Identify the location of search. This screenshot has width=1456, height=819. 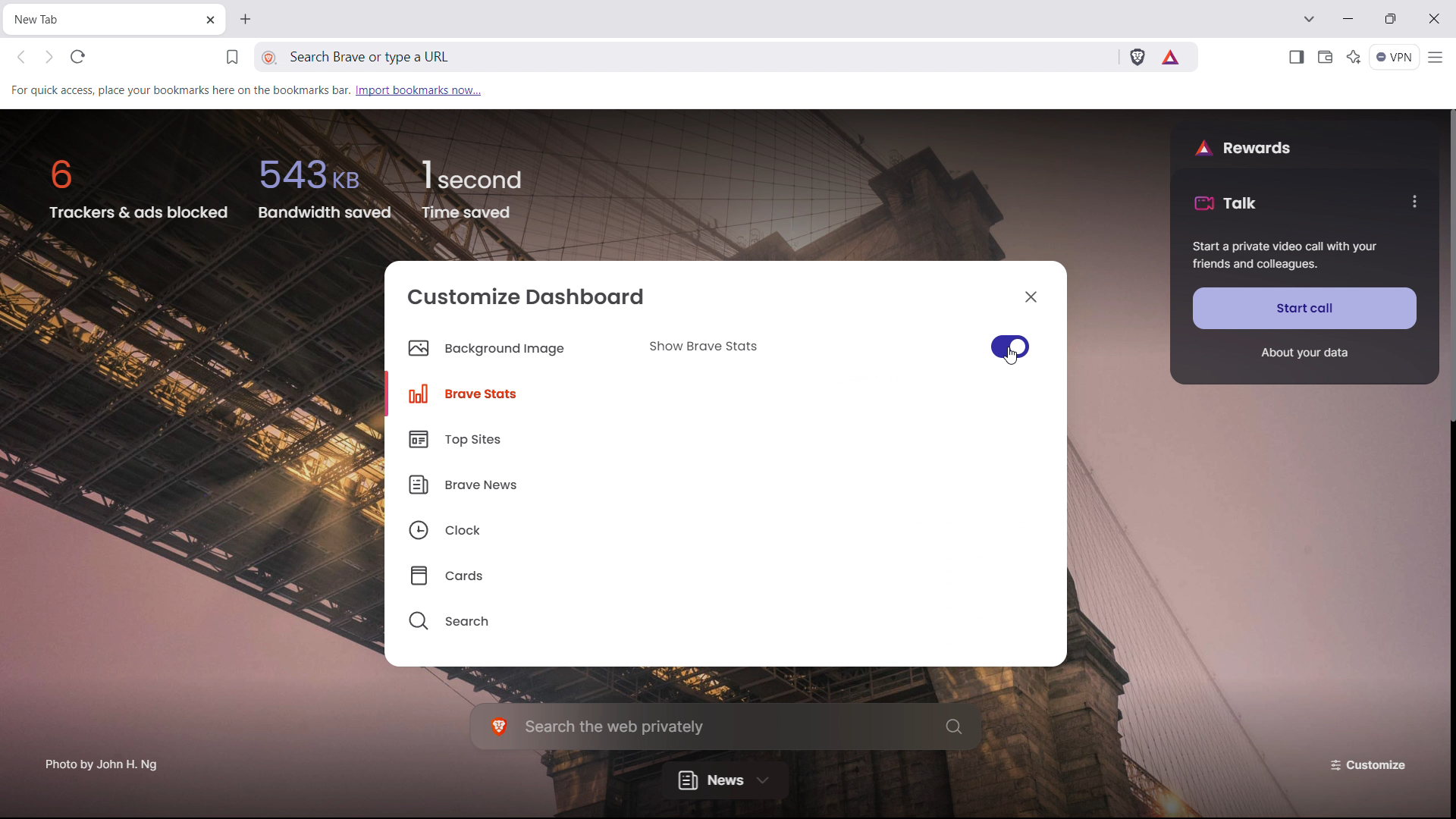
(507, 617).